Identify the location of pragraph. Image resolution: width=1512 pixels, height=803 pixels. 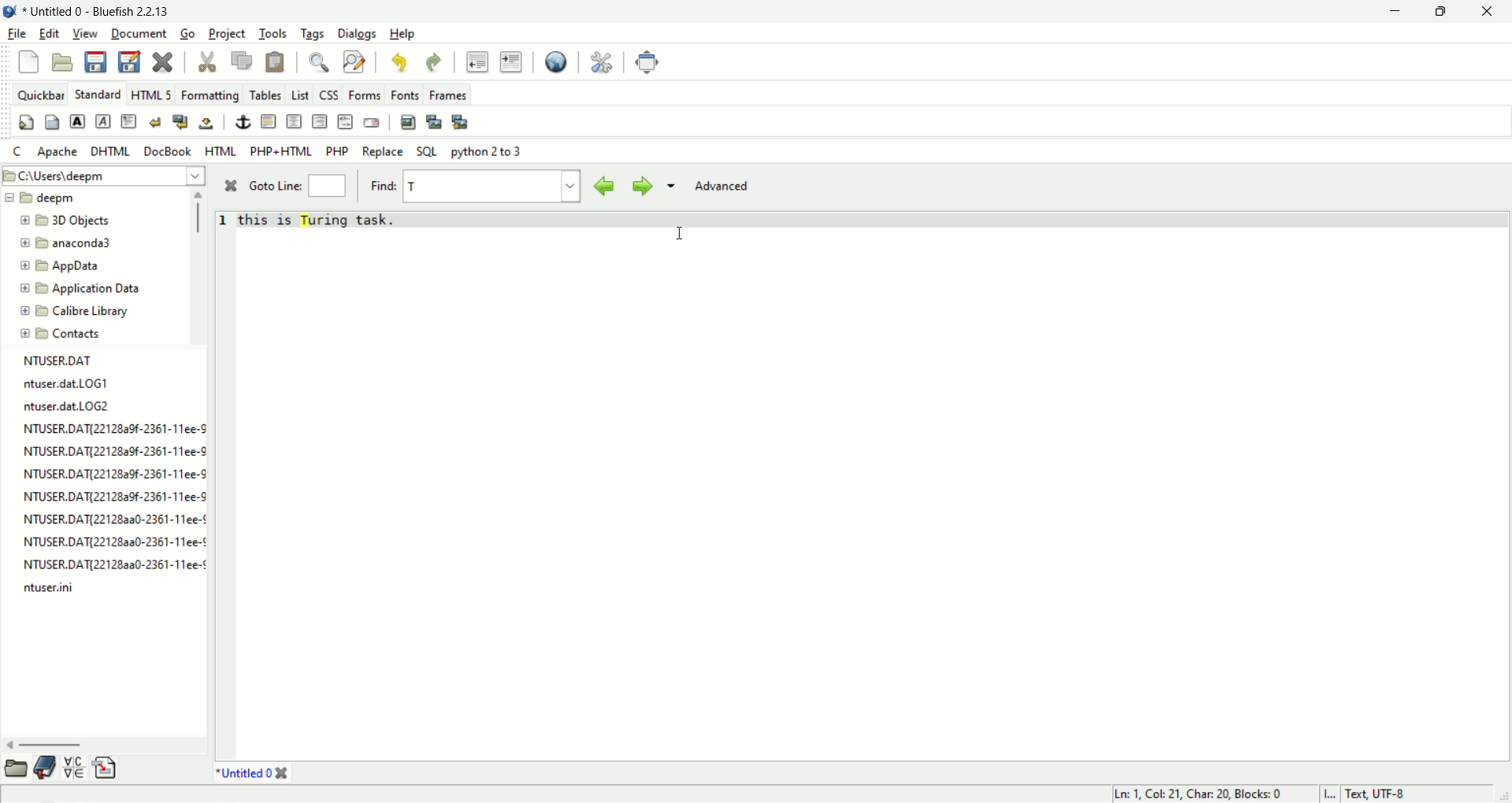
(129, 121).